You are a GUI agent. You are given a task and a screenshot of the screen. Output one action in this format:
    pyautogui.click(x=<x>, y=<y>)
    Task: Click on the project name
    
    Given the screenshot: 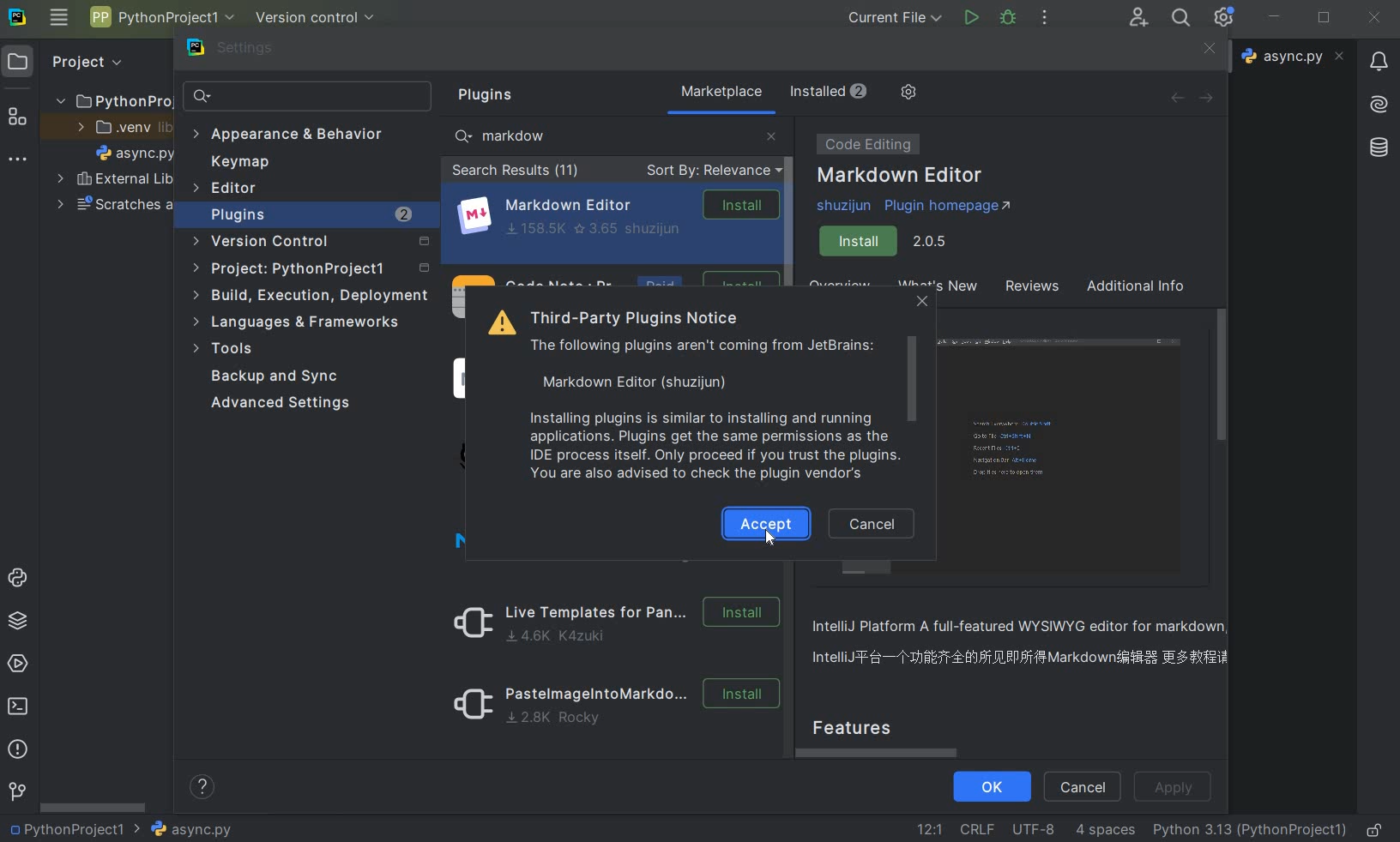 What is the action you would take?
    pyautogui.click(x=160, y=16)
    